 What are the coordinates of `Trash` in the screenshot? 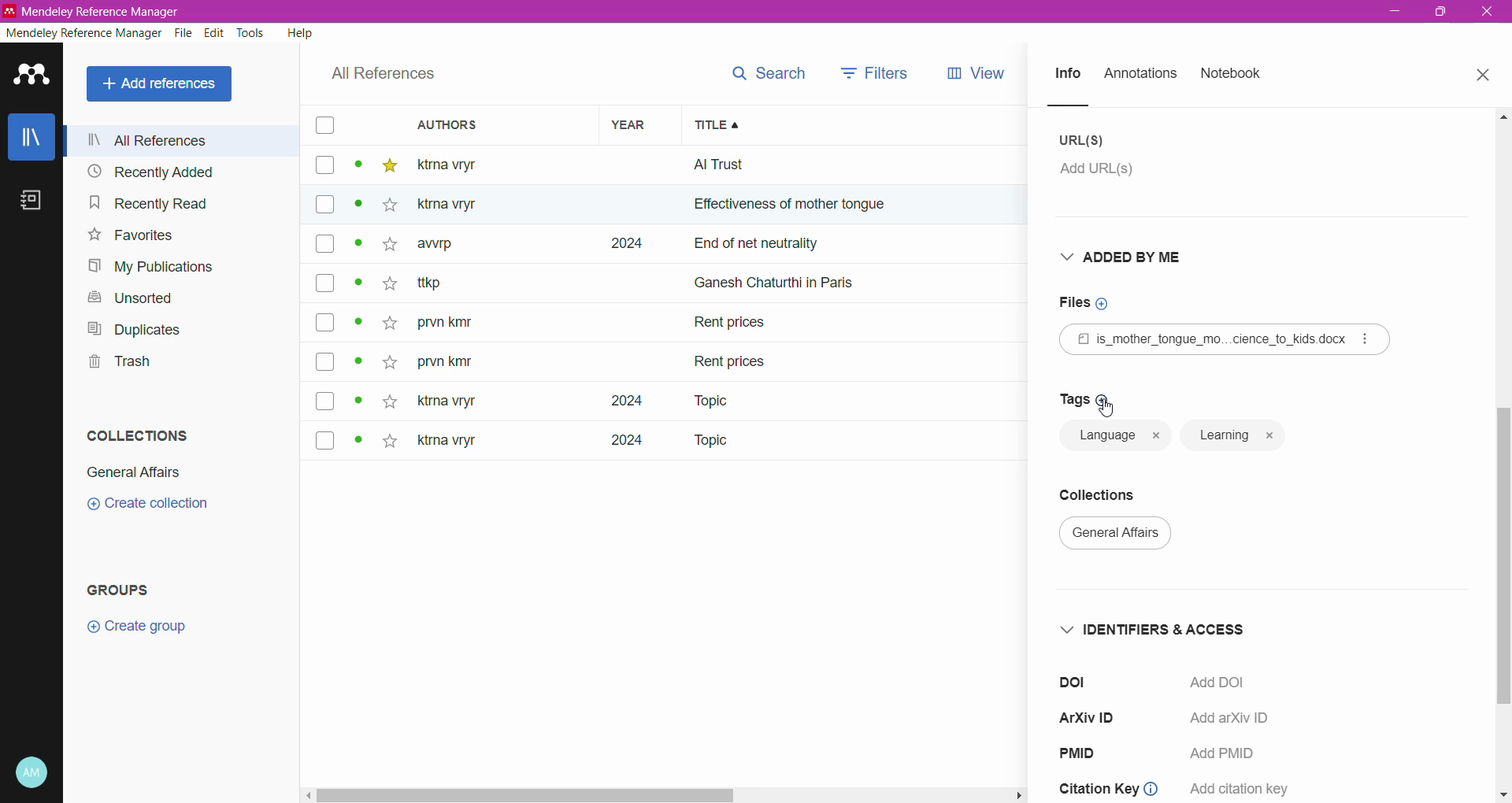 It's located at (117, 361).